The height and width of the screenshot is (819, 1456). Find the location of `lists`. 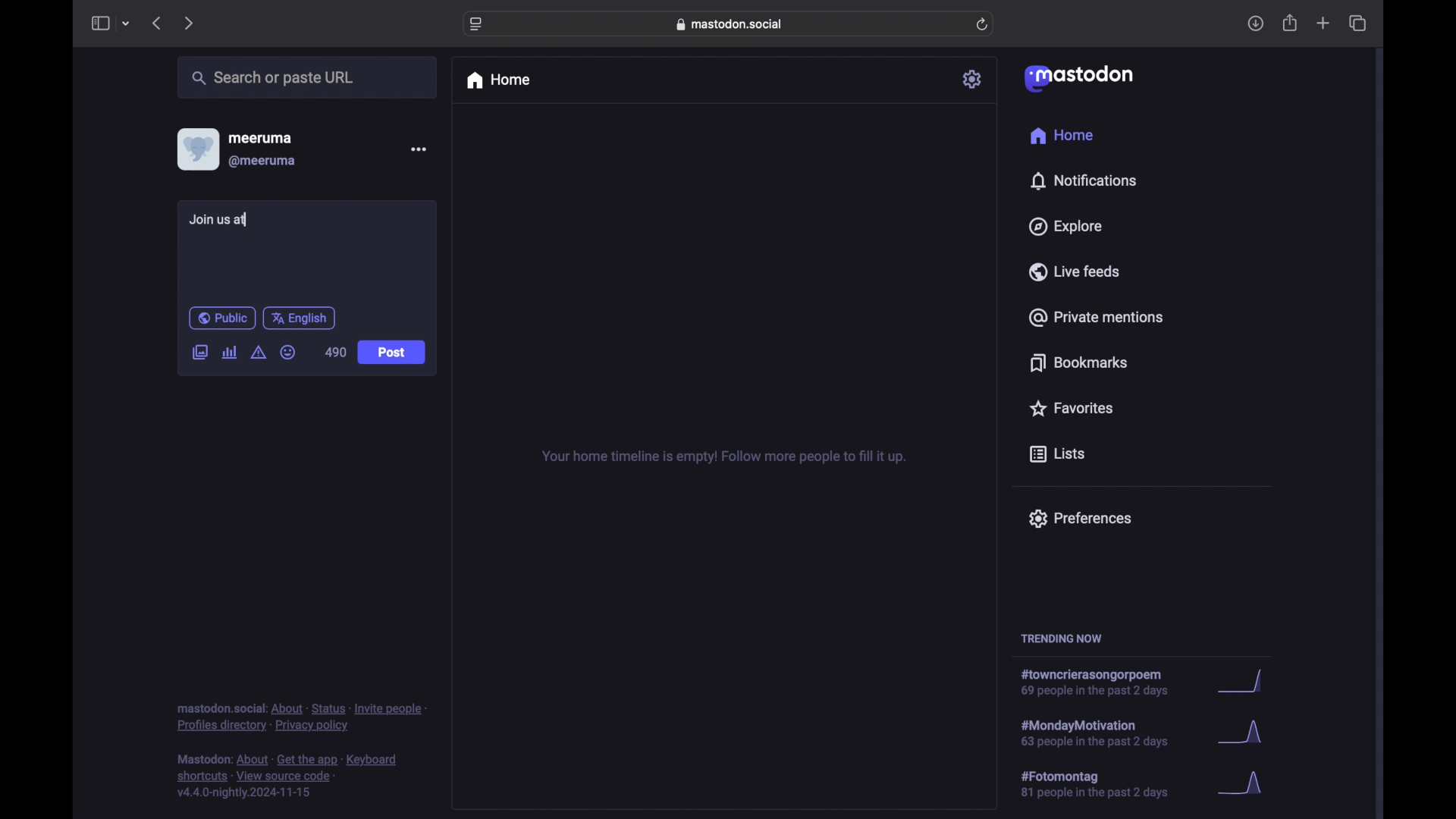

lists is located at coordinates (1057, 455).